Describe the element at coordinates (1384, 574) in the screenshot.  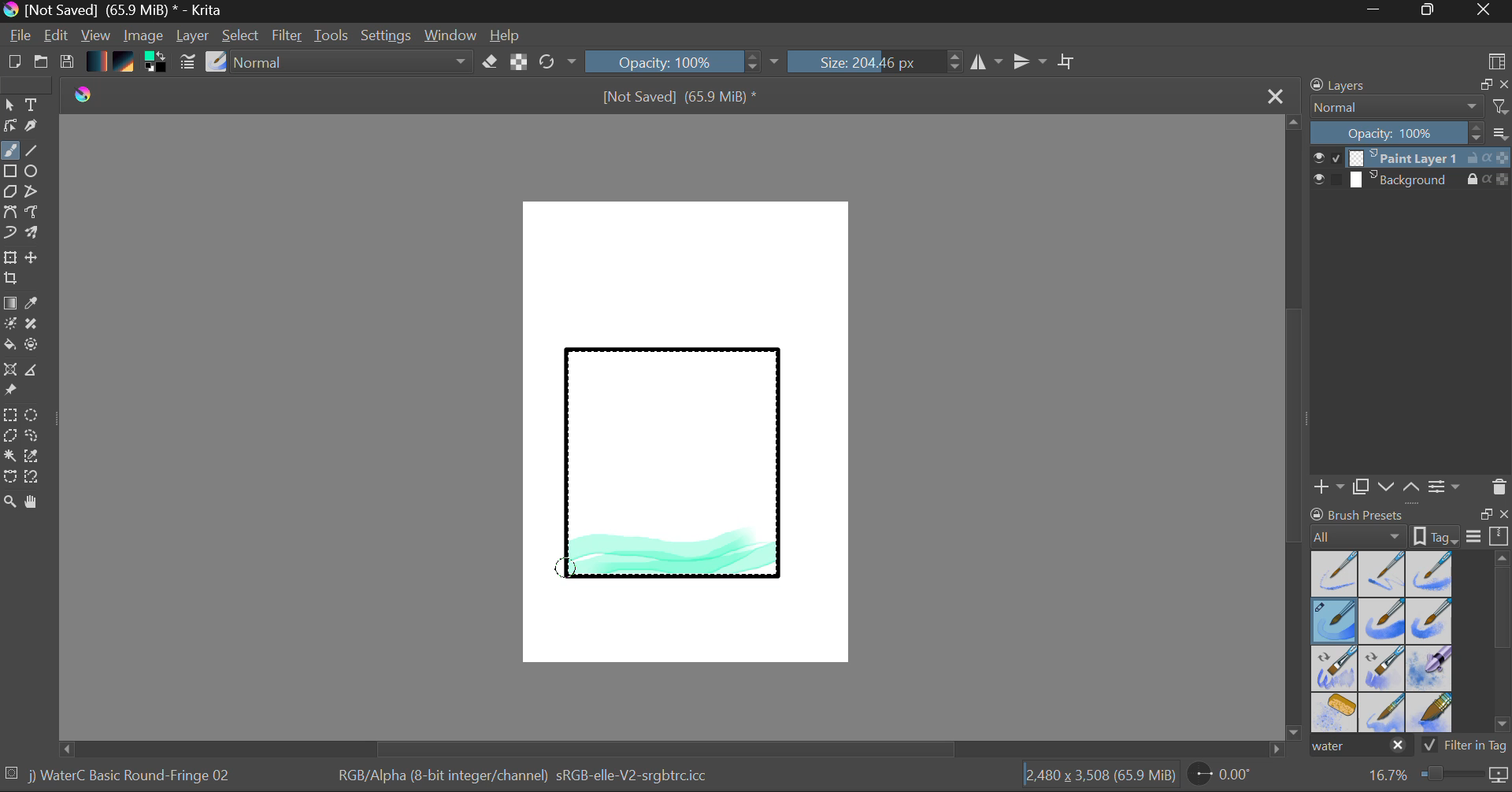
I see `Water C - Wet` at that location.